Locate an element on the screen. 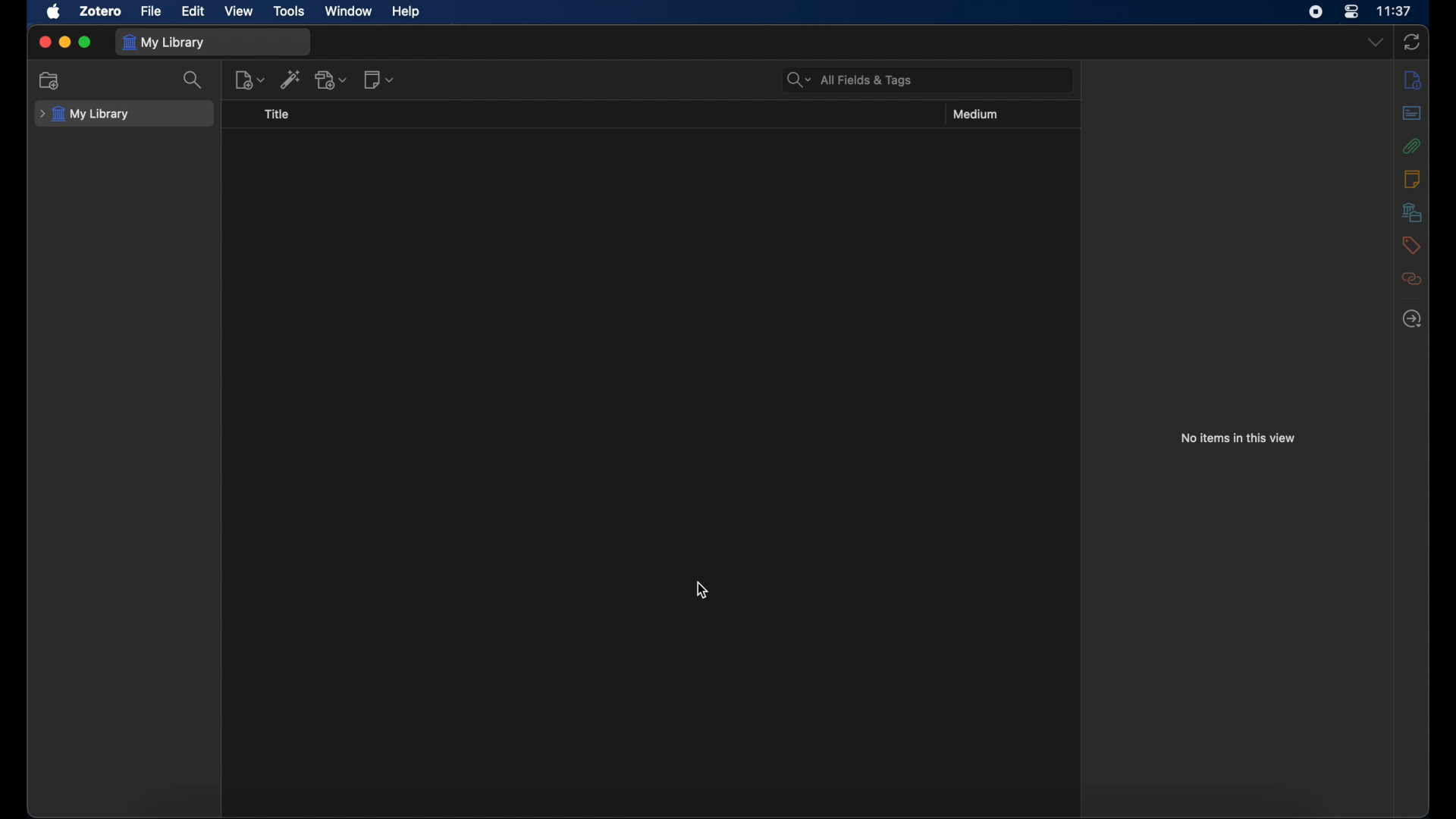 The width and height of the screenshot is (1456, 819). abstract is located at coordinates (1411, 112).